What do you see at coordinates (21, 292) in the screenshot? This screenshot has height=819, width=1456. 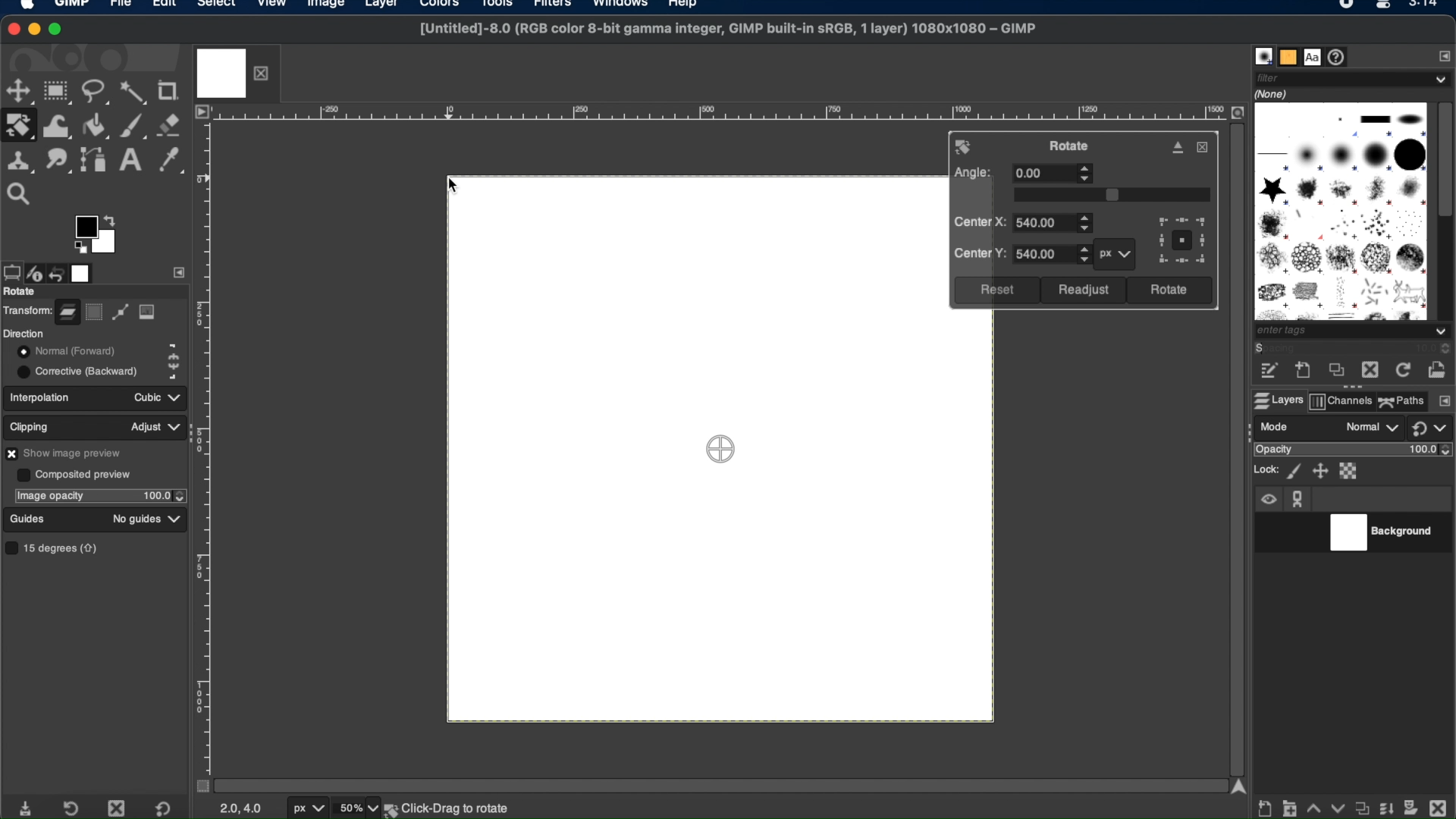 I see `rotate` at bounding box center [21, 292].